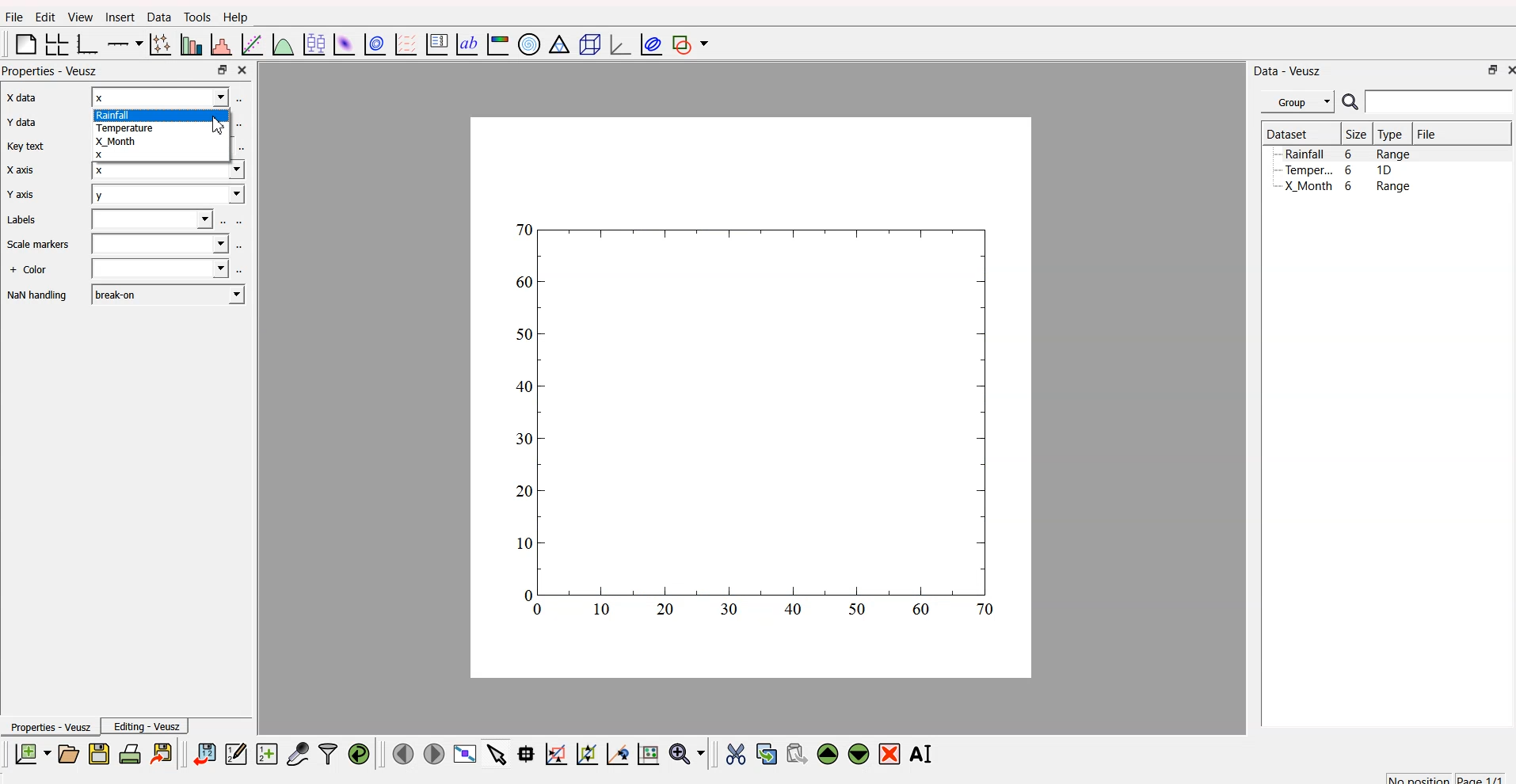 The height and width of the screenshot is (784, 1516). Describe the element at coordinates (856, 755) in the screenshot. I see `move down the widget ` at that location.